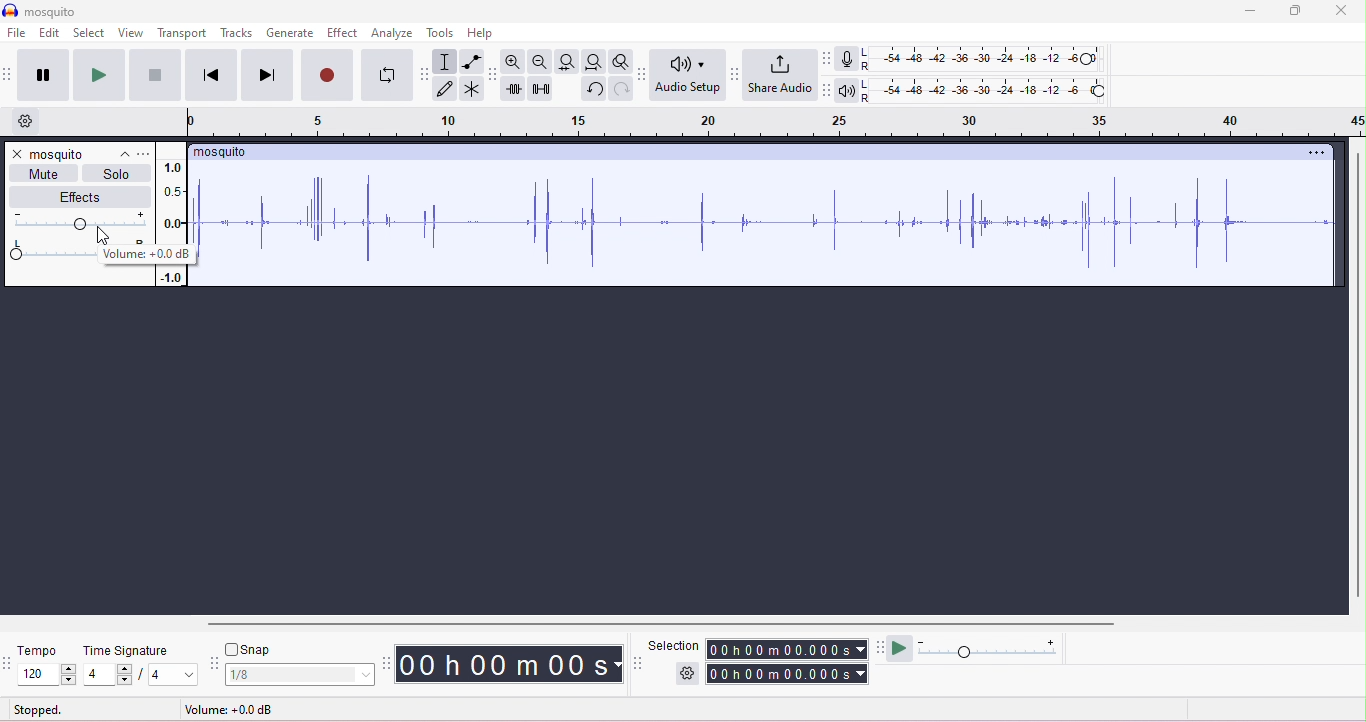 The height and width of the screenshot is (722, 1366). Describe the element at coordinates (622, 90) in the screenshot. I see `redo` at that location.